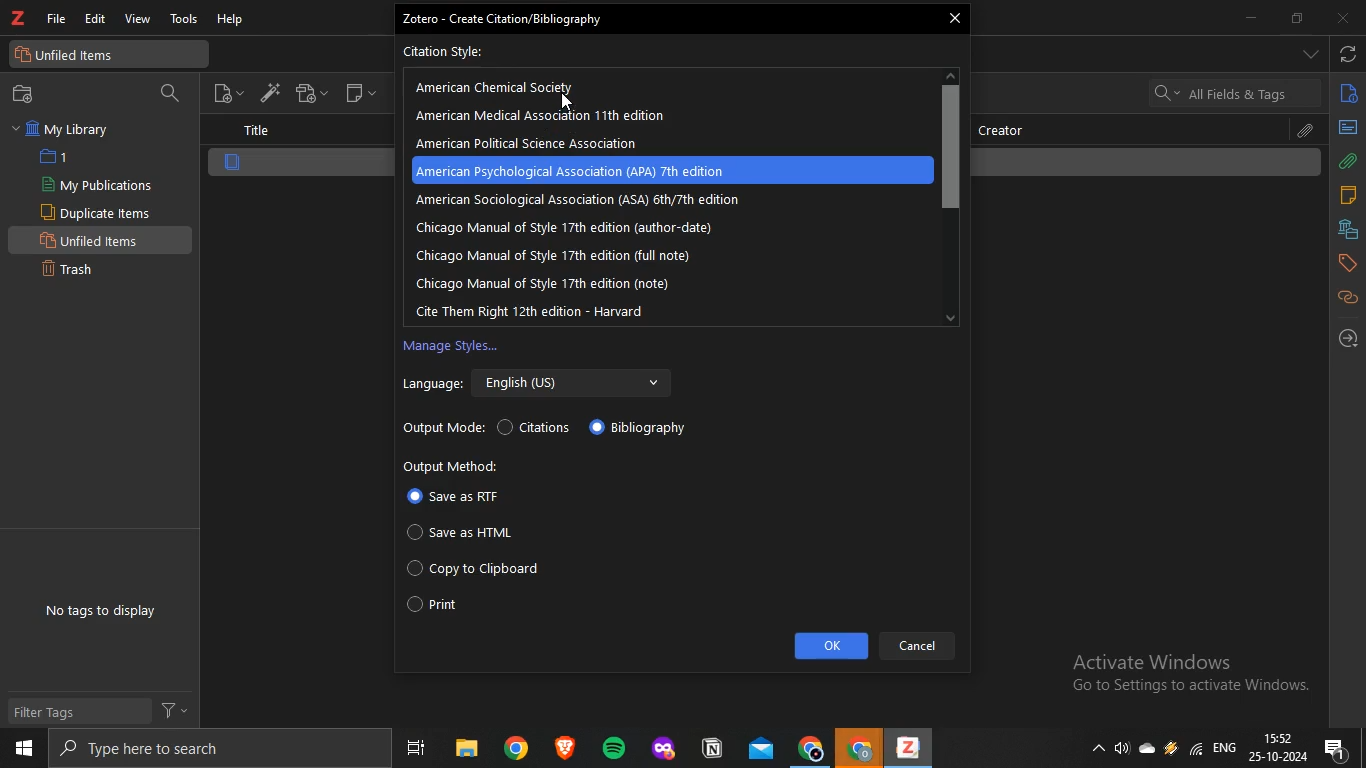 The image size is (1366, 768). Describe the element at coordinates (265, 91) in the screenshot. I see `add item by identifier` at that location.